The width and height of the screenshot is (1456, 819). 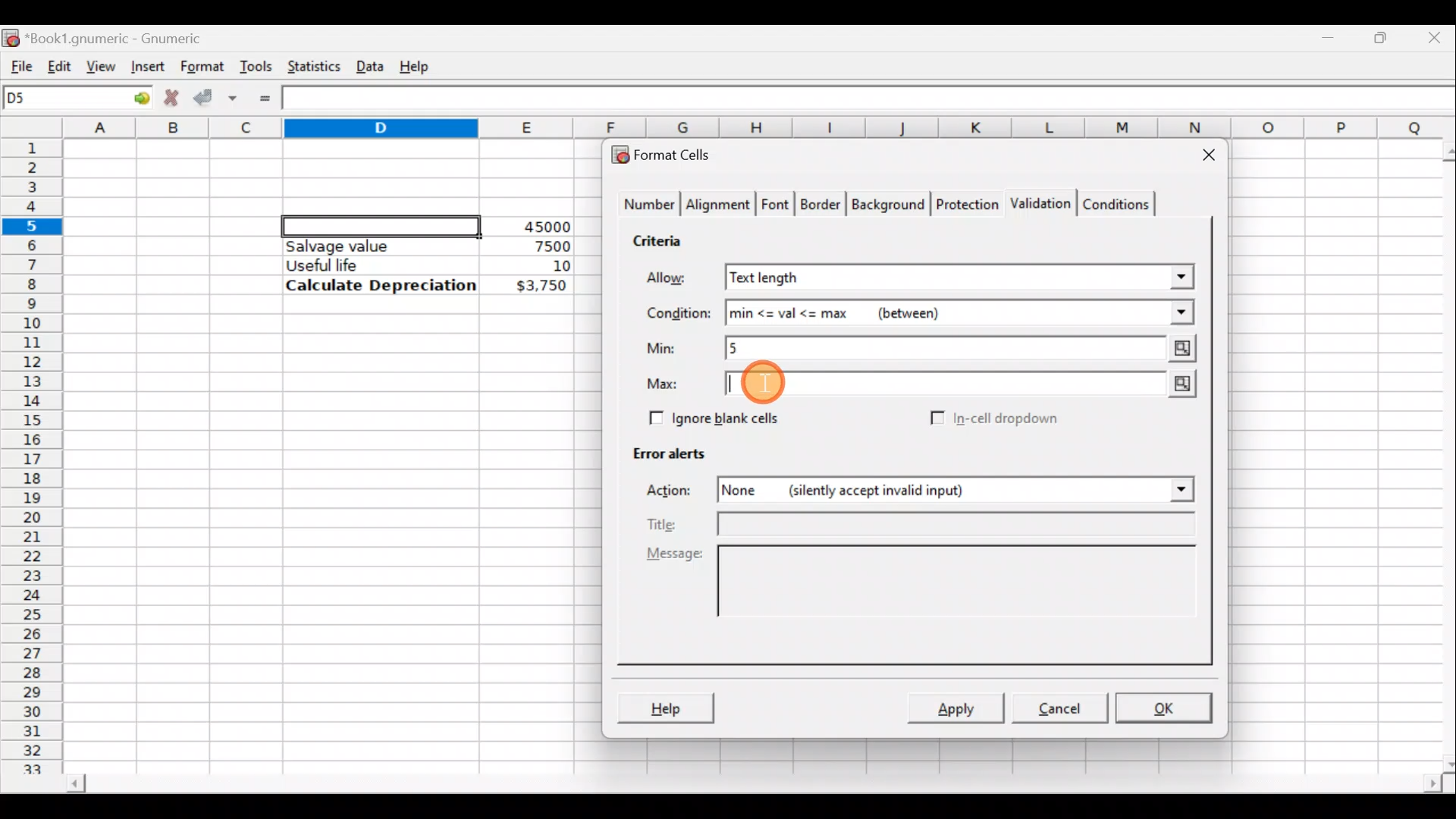 What do you see at coordinates (822, 208) in the screenshot?
I see `Border` at bounding box center [822, 208].